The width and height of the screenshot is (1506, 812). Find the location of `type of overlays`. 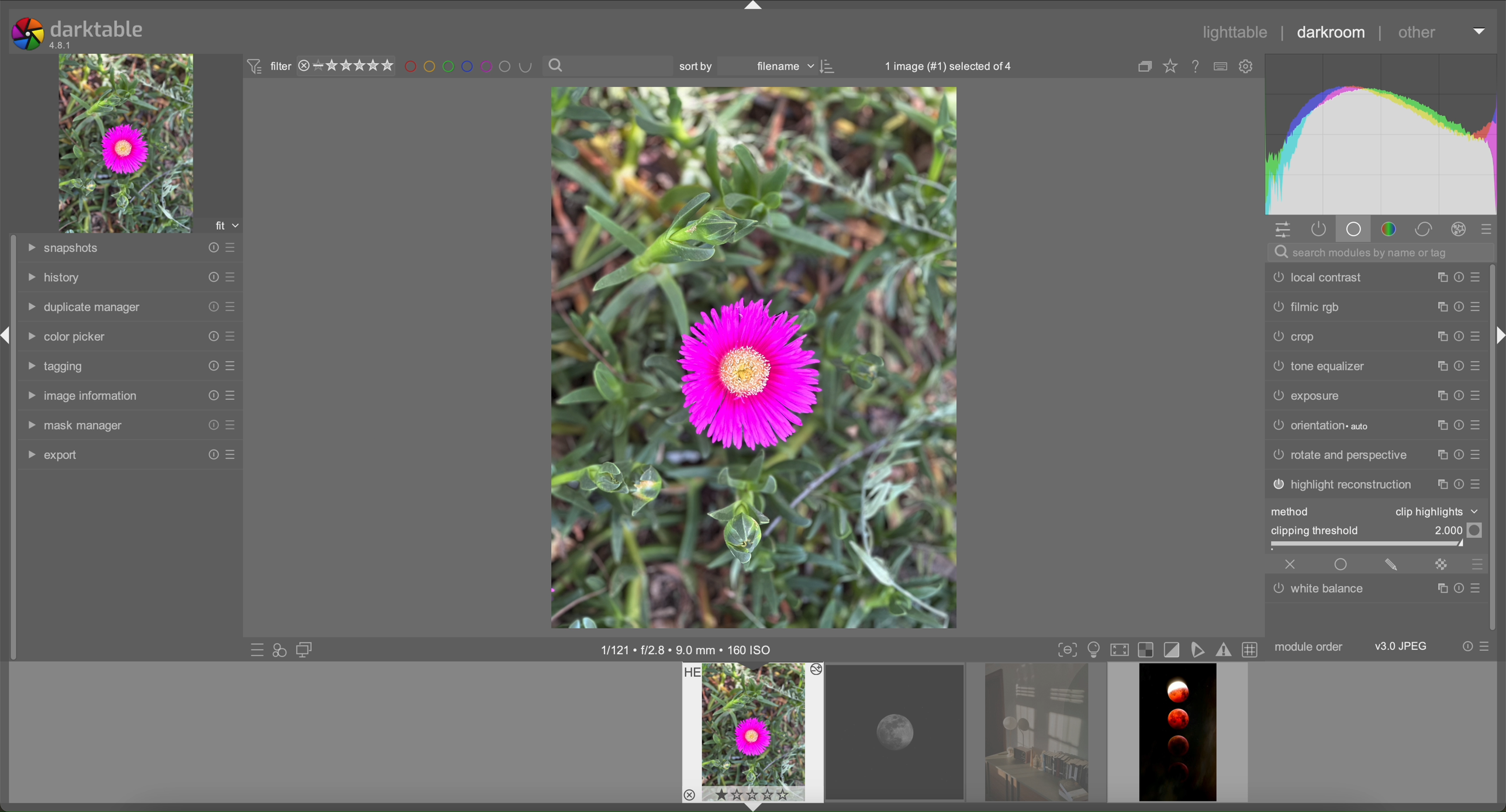

type of overlays is located at coordinates (1222, 67).